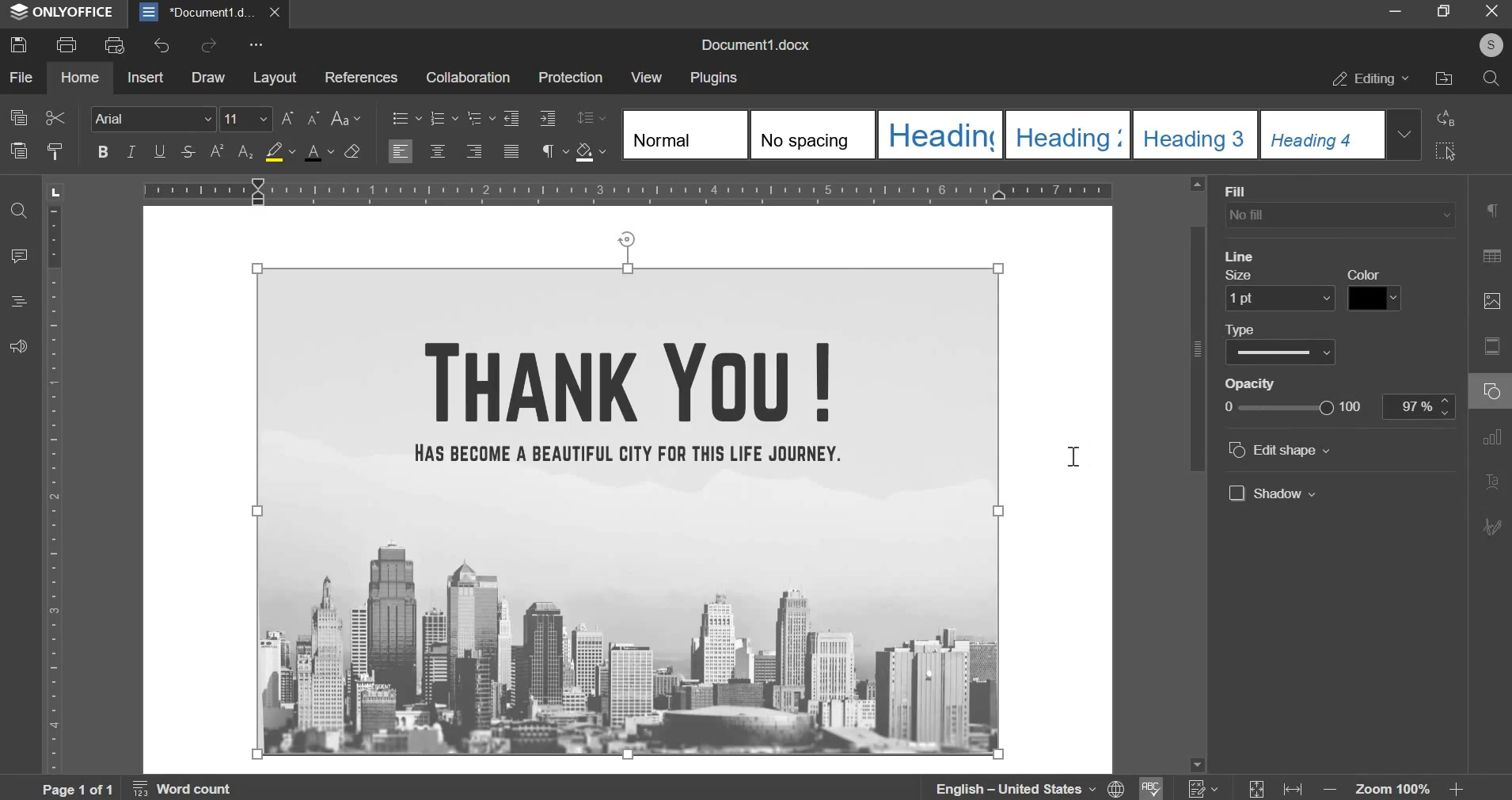 This screenshot has width=1512, height=800. What do you see at coordinates (476, 149) in the screenshot?
I see `align right` at bounding box center [476, 149].